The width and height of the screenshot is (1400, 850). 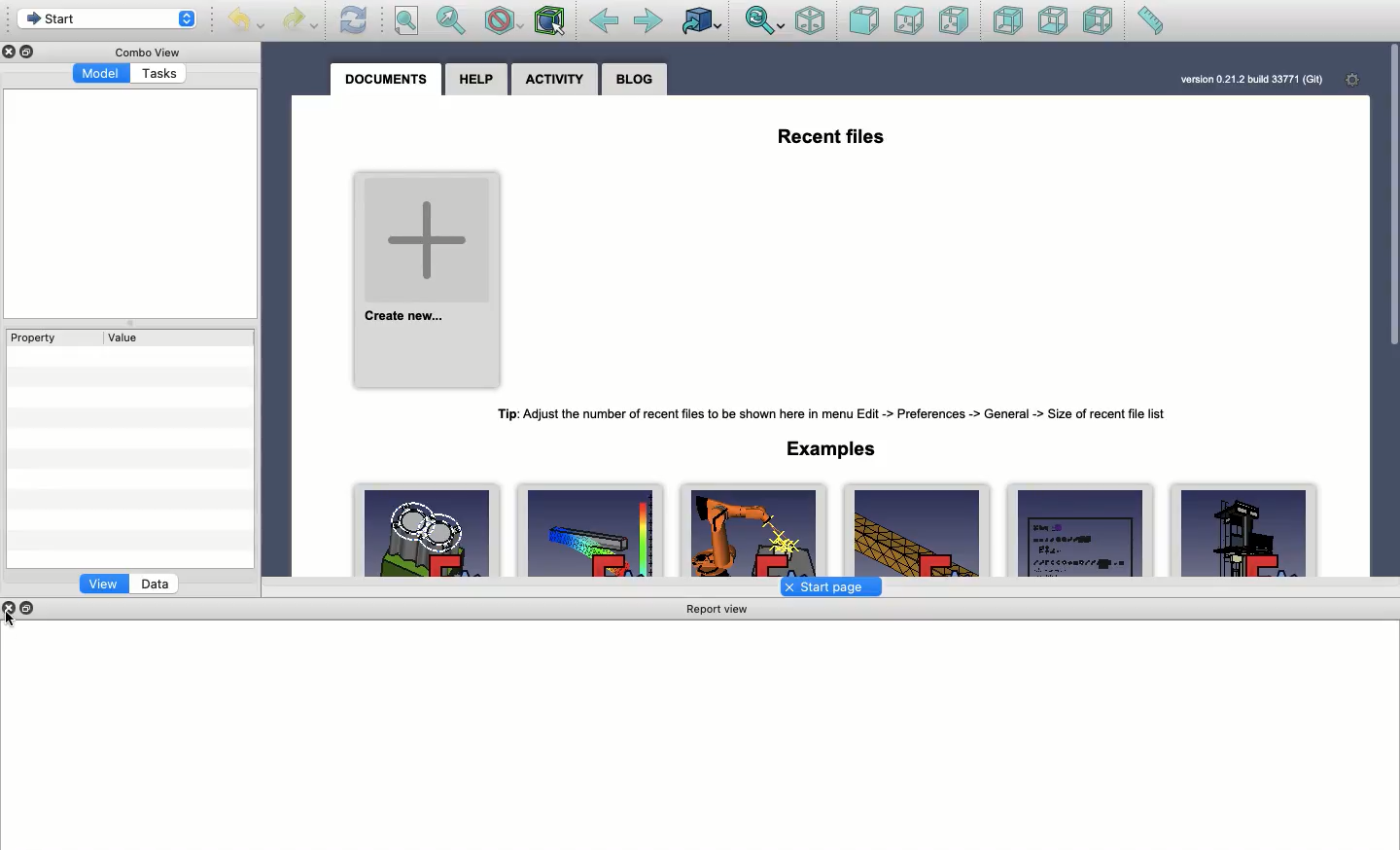 I want to click on Combo view, so click(x=145, y=53).